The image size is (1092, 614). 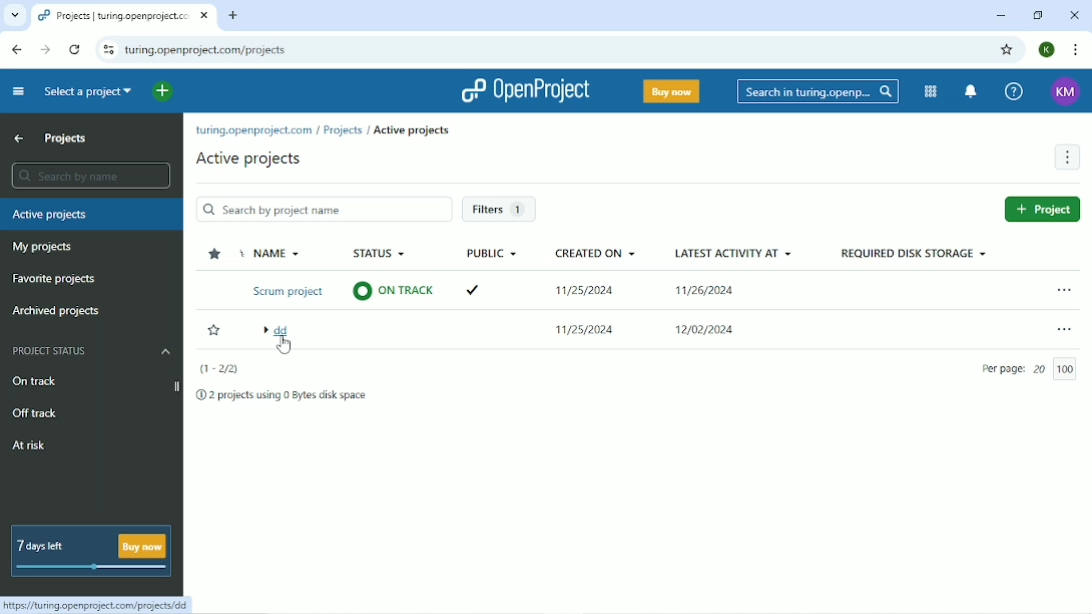 What do you see at coordinates (931, 91) in the screenshot?
I see `Modules` at bounding box center [931, 91].